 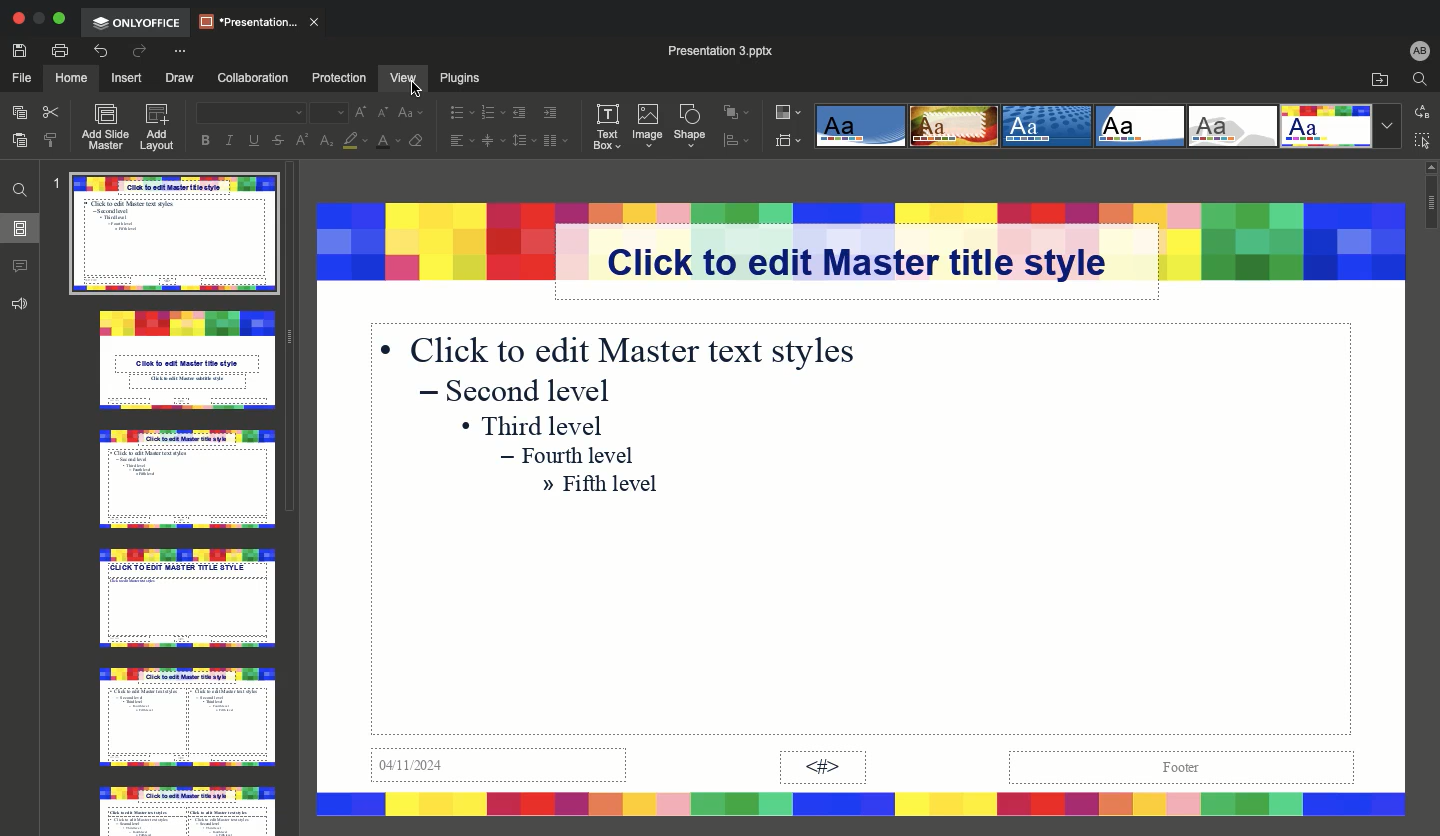 What do you see at coordinates (379, 113) in the screenshot?
I see `Decrease font size` at bounding box center [379, 113].